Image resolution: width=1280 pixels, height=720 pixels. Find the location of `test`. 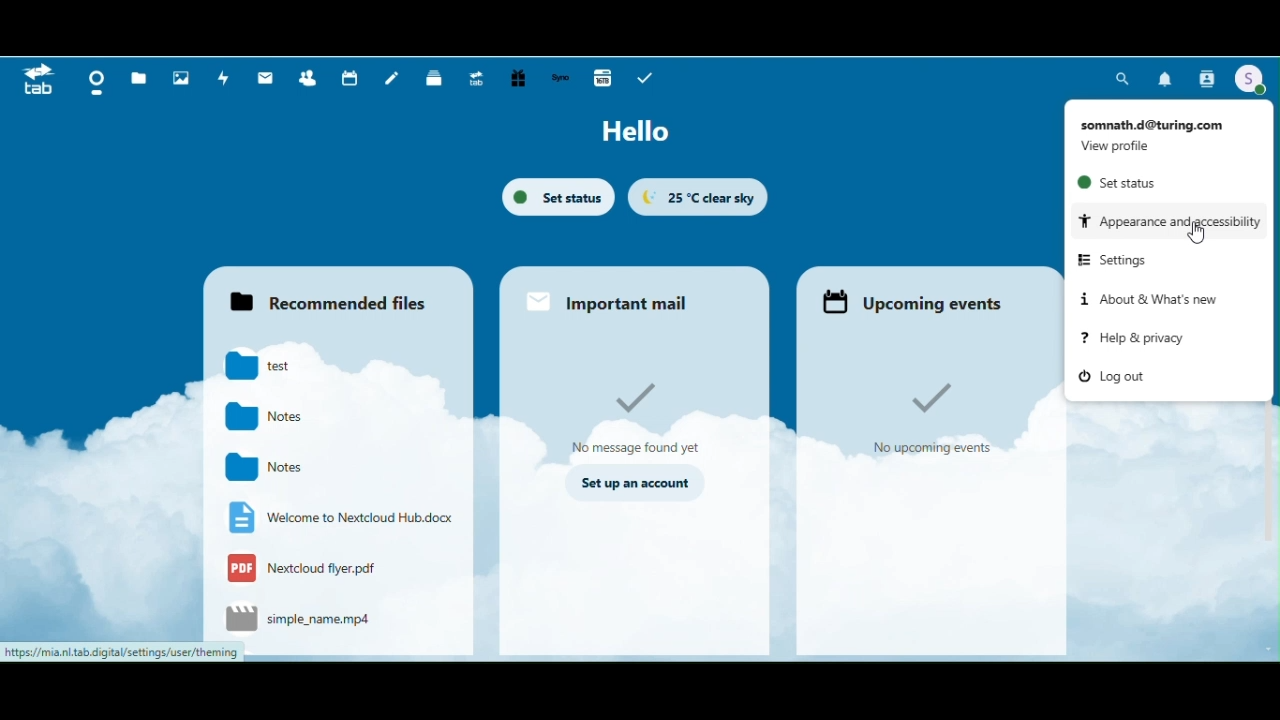

test is located at coordinates (276, 368).